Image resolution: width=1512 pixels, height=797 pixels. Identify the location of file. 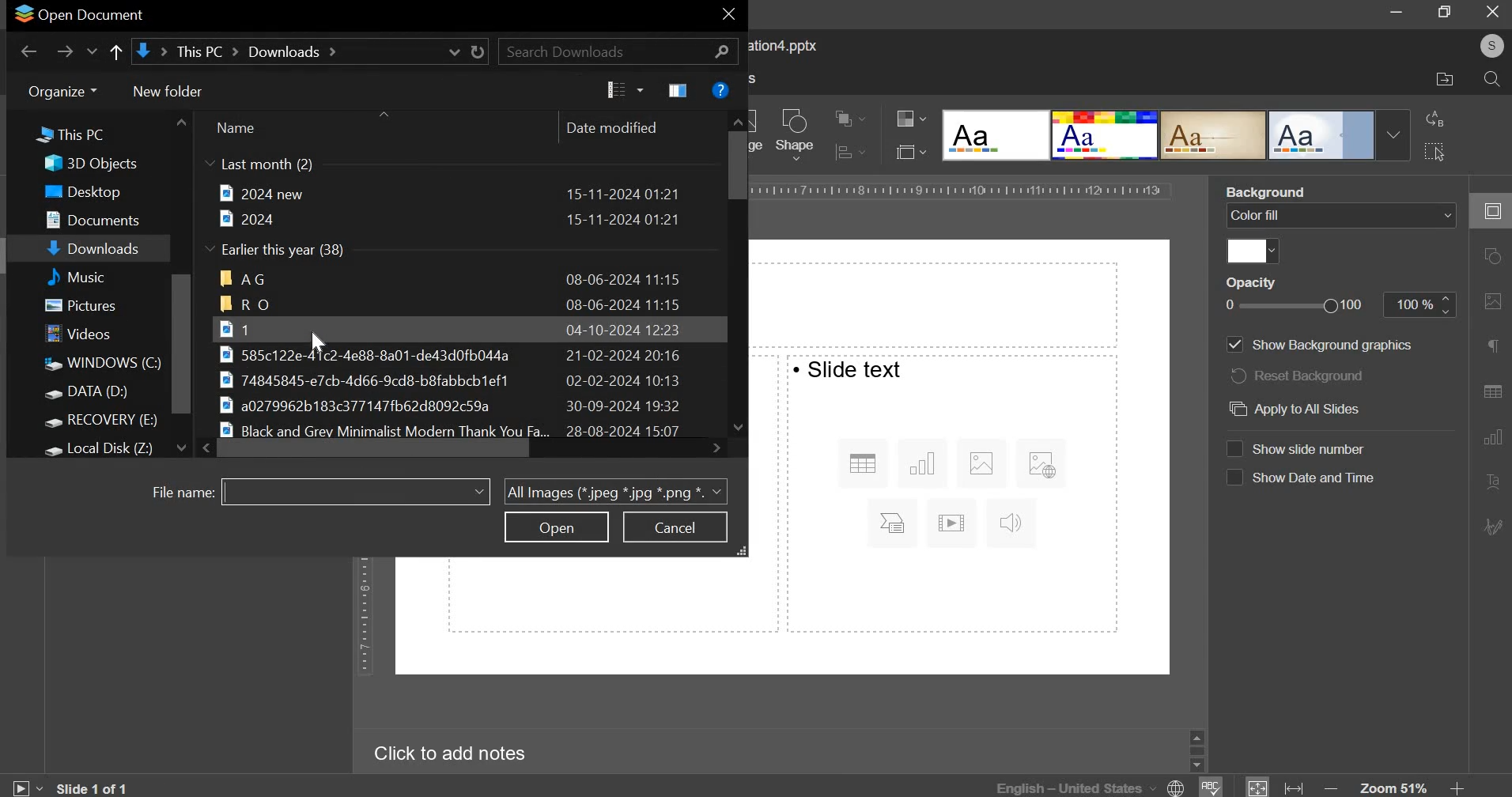
(449, 219).